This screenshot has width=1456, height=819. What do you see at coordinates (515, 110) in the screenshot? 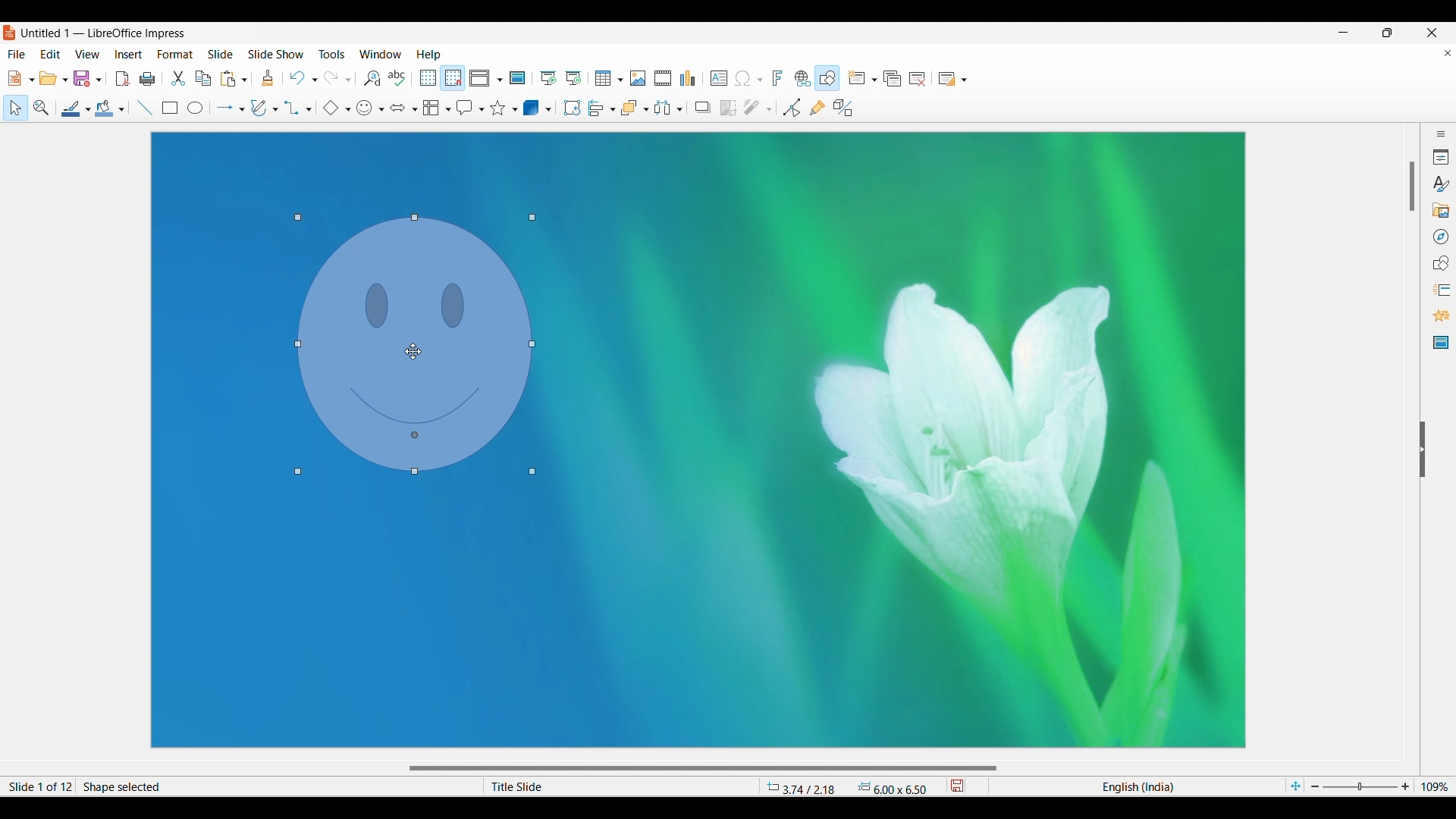
I see `Star and banner options` at bounding box center [515, 110].